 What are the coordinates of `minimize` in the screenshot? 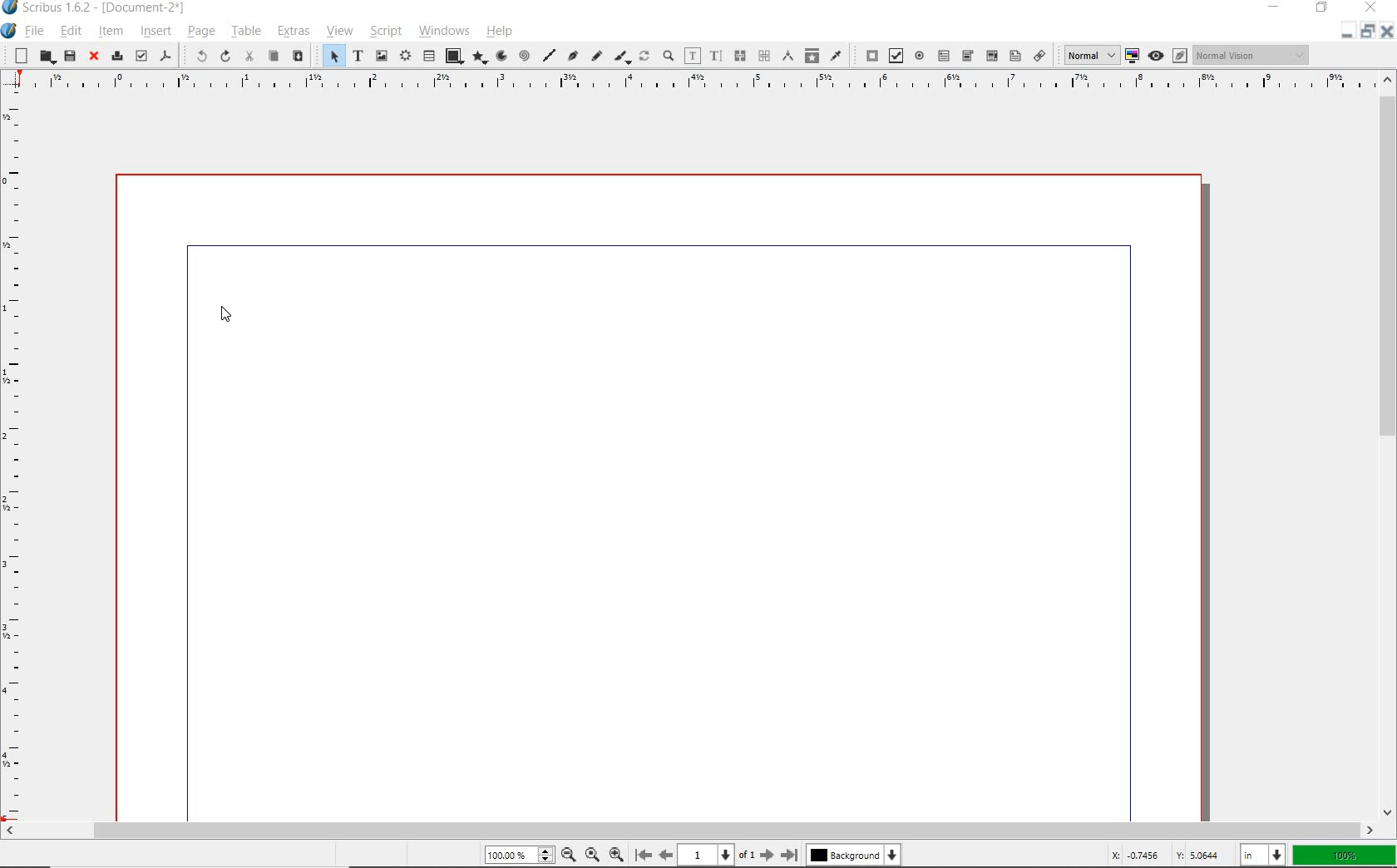 It's located at (1345, 36).